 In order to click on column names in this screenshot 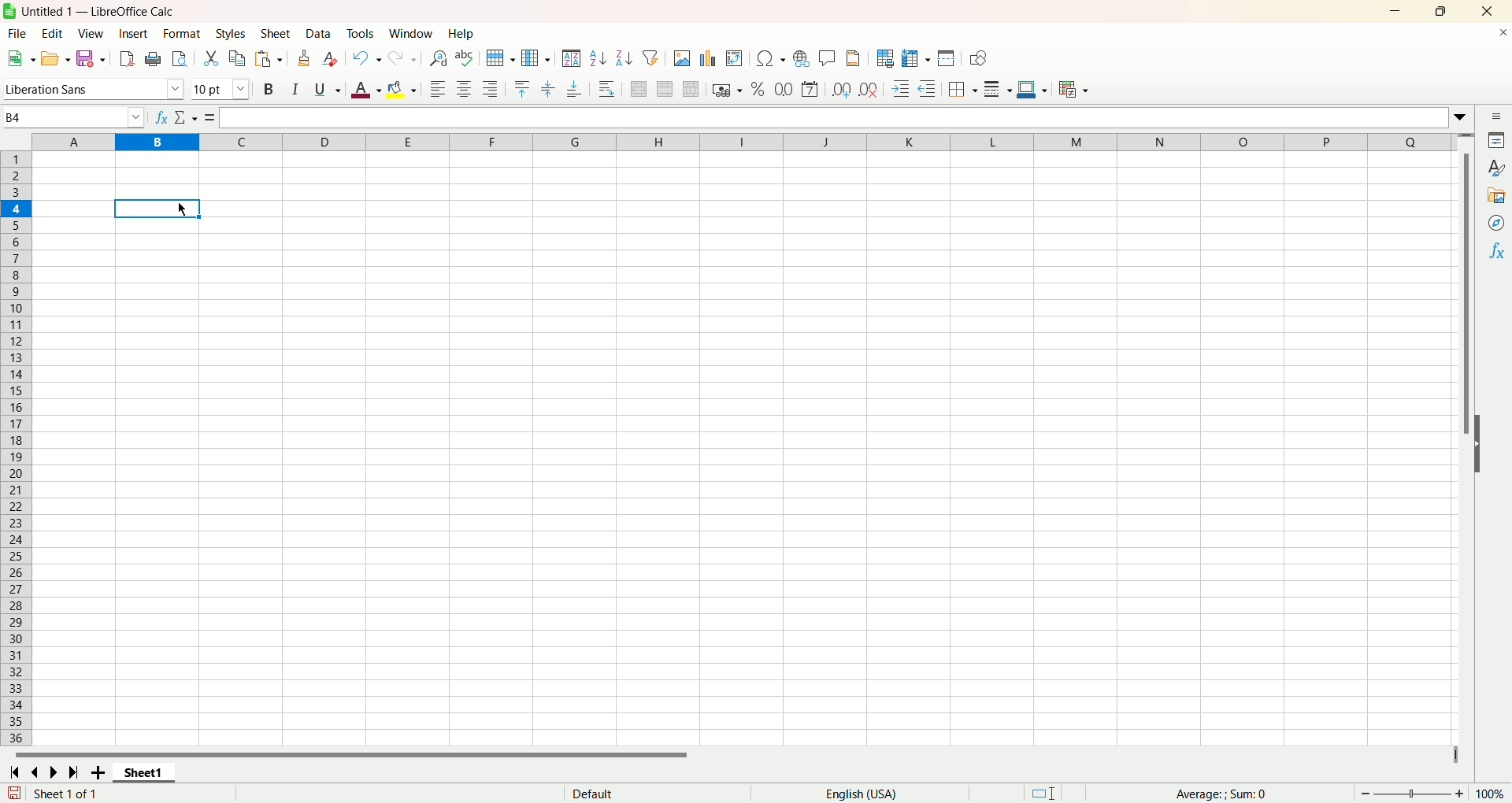, I will do `click(743, 140)`.